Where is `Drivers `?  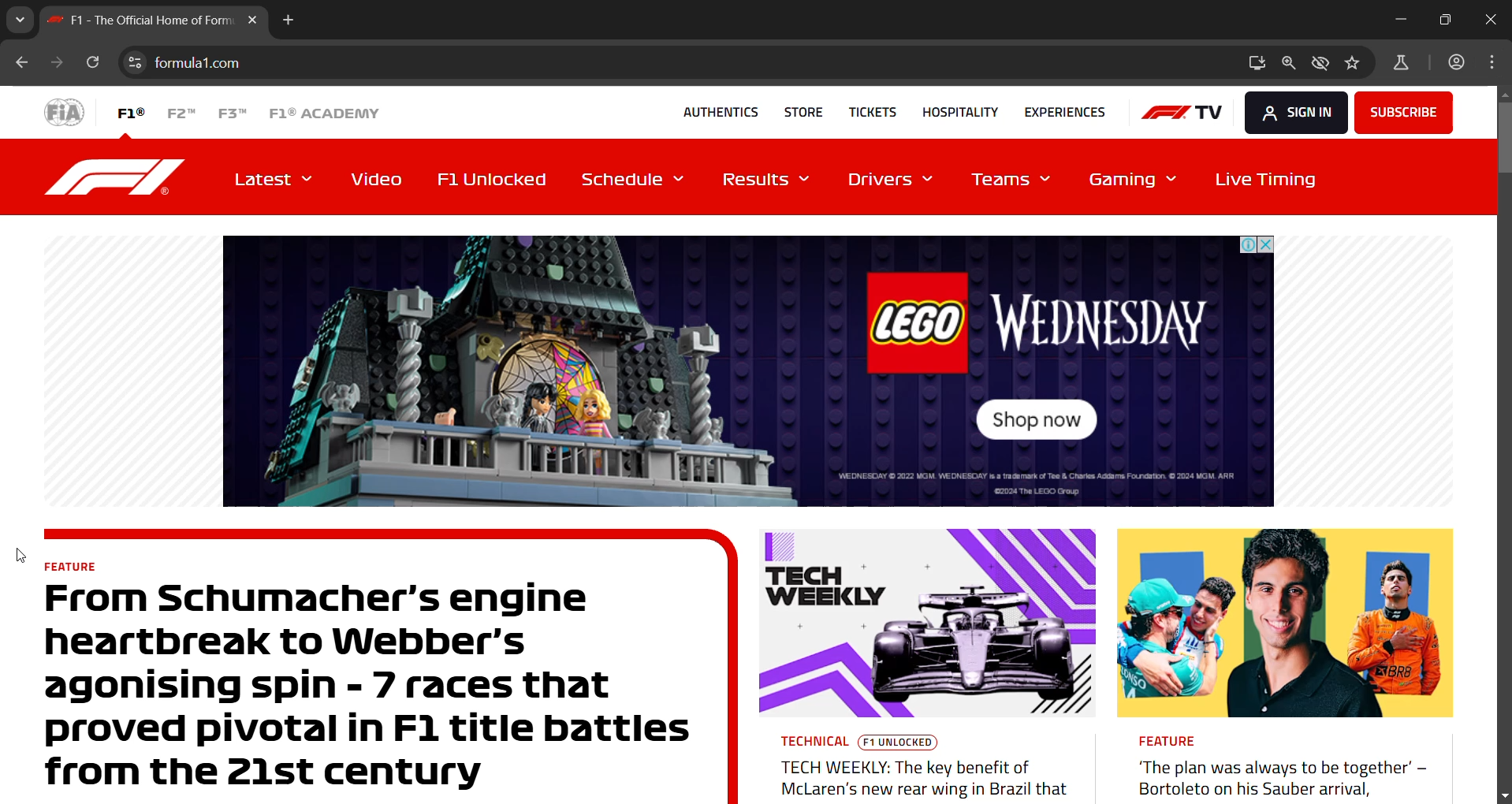
Drivers  is located at coordinates (892, 181).